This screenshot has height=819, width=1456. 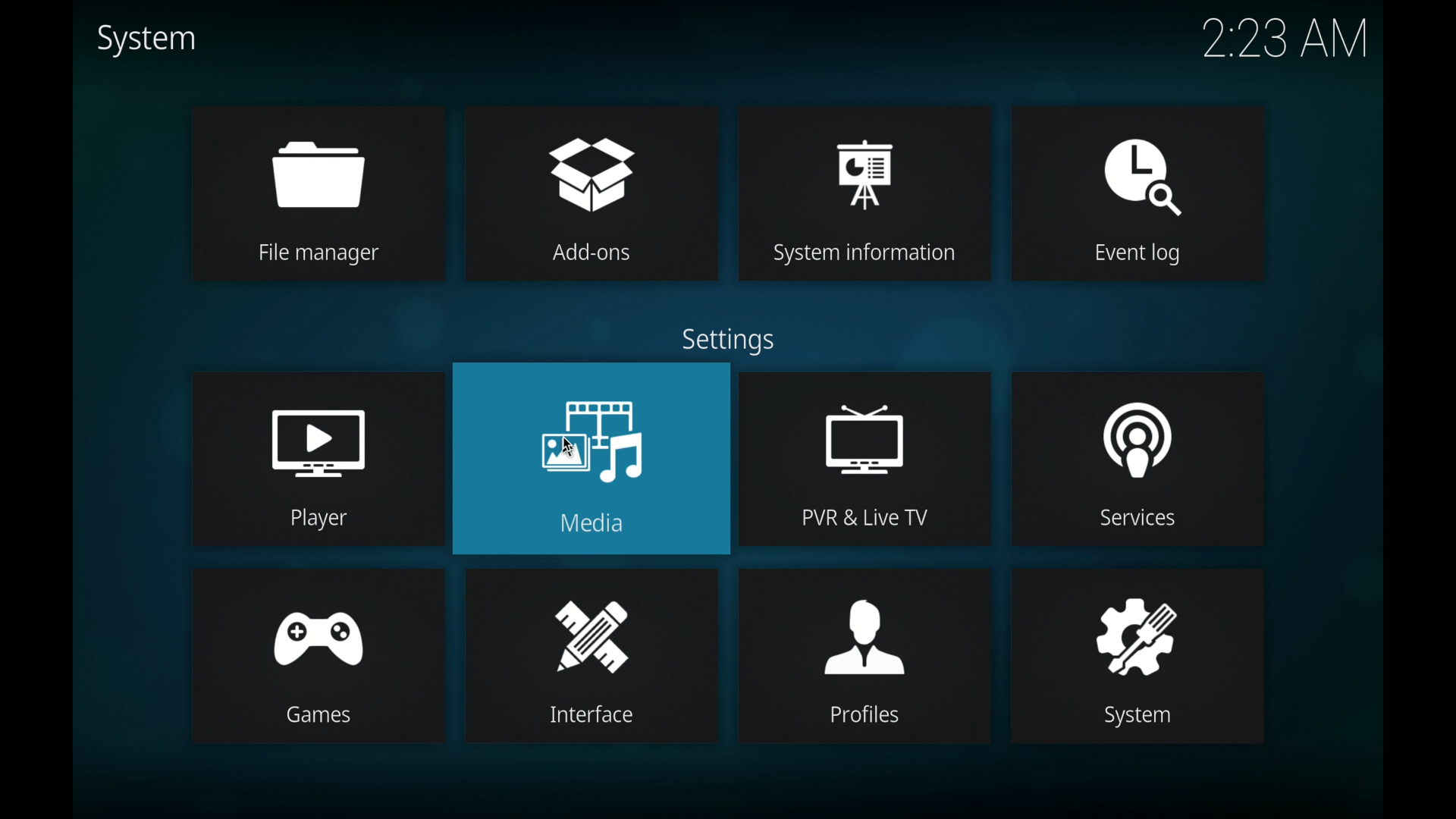 I want to click on settings, so click(x=728, y=340).